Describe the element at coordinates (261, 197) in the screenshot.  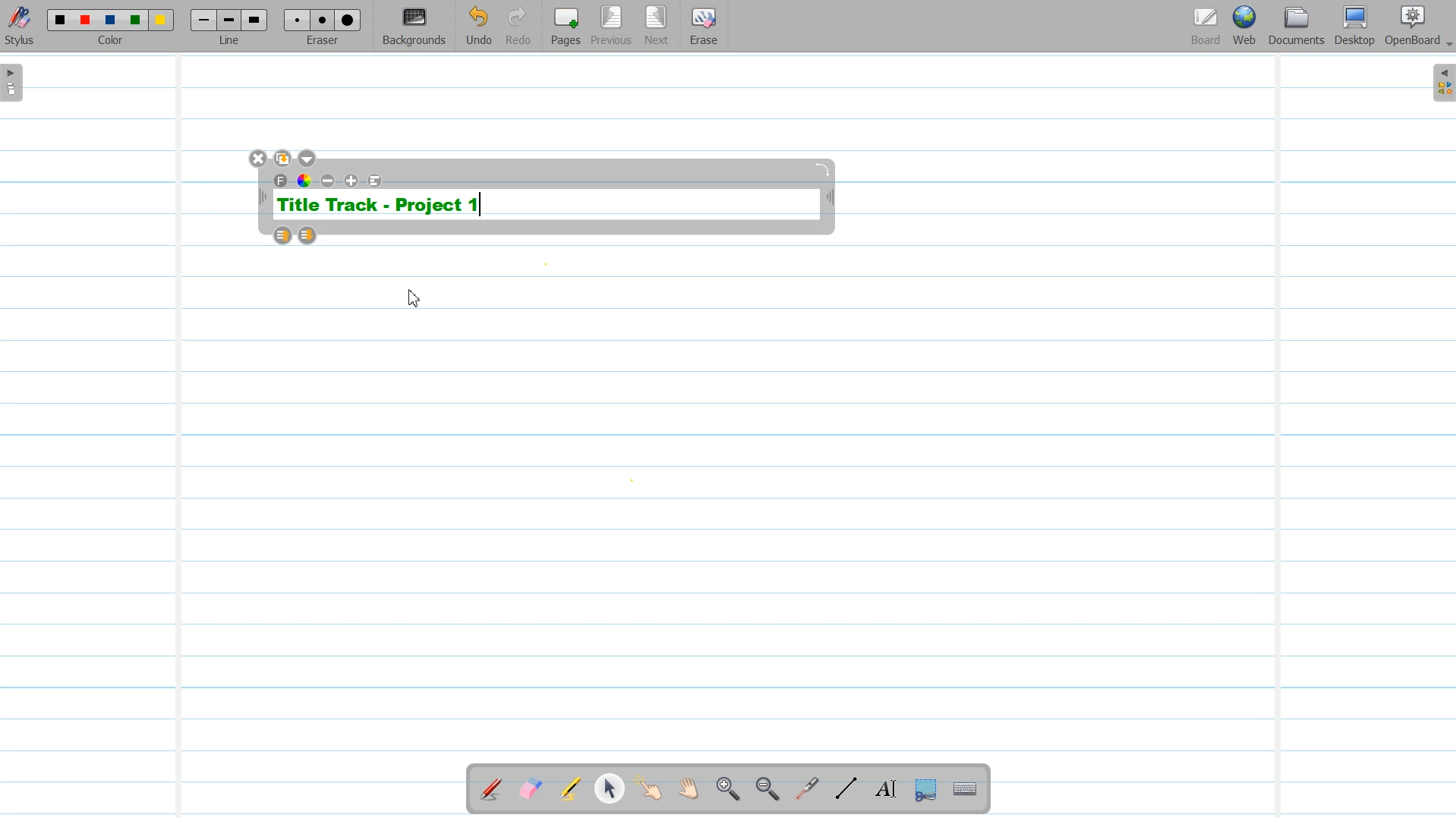
I see `Adjust width of text tool ` at that location.